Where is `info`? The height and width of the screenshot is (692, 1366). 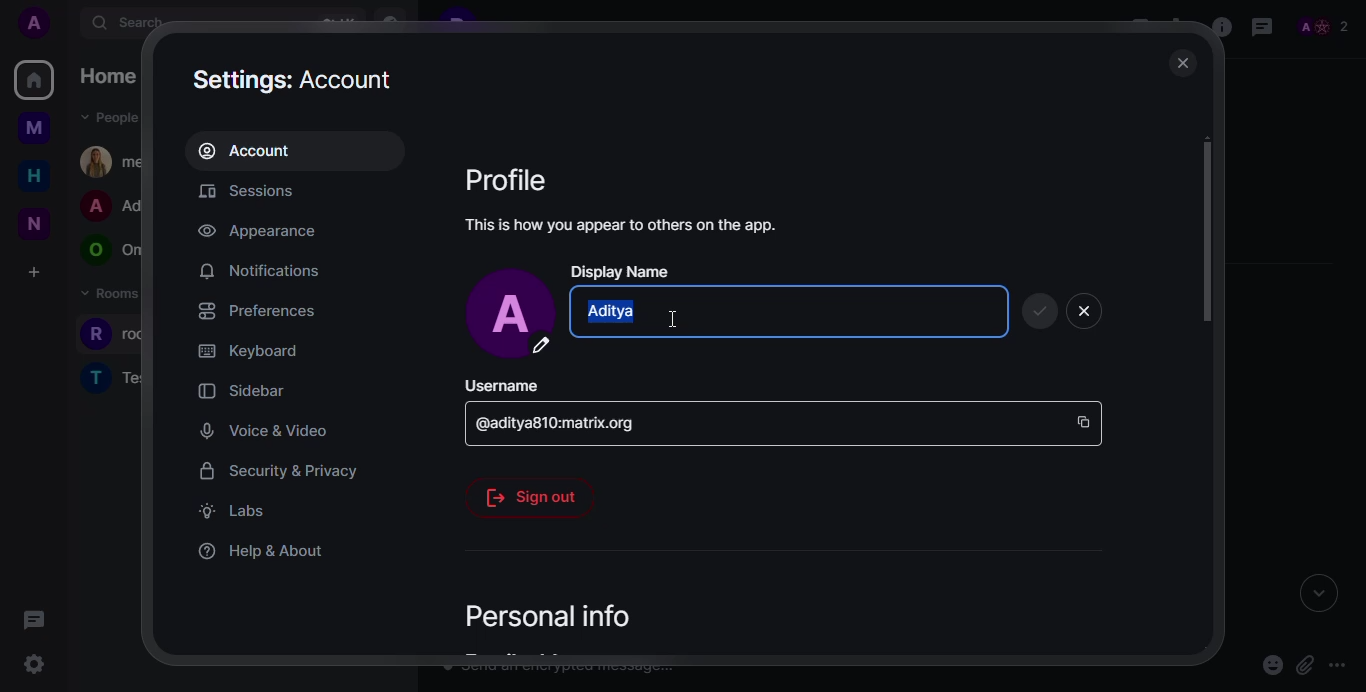 info is located at coordinates (1221, 28).